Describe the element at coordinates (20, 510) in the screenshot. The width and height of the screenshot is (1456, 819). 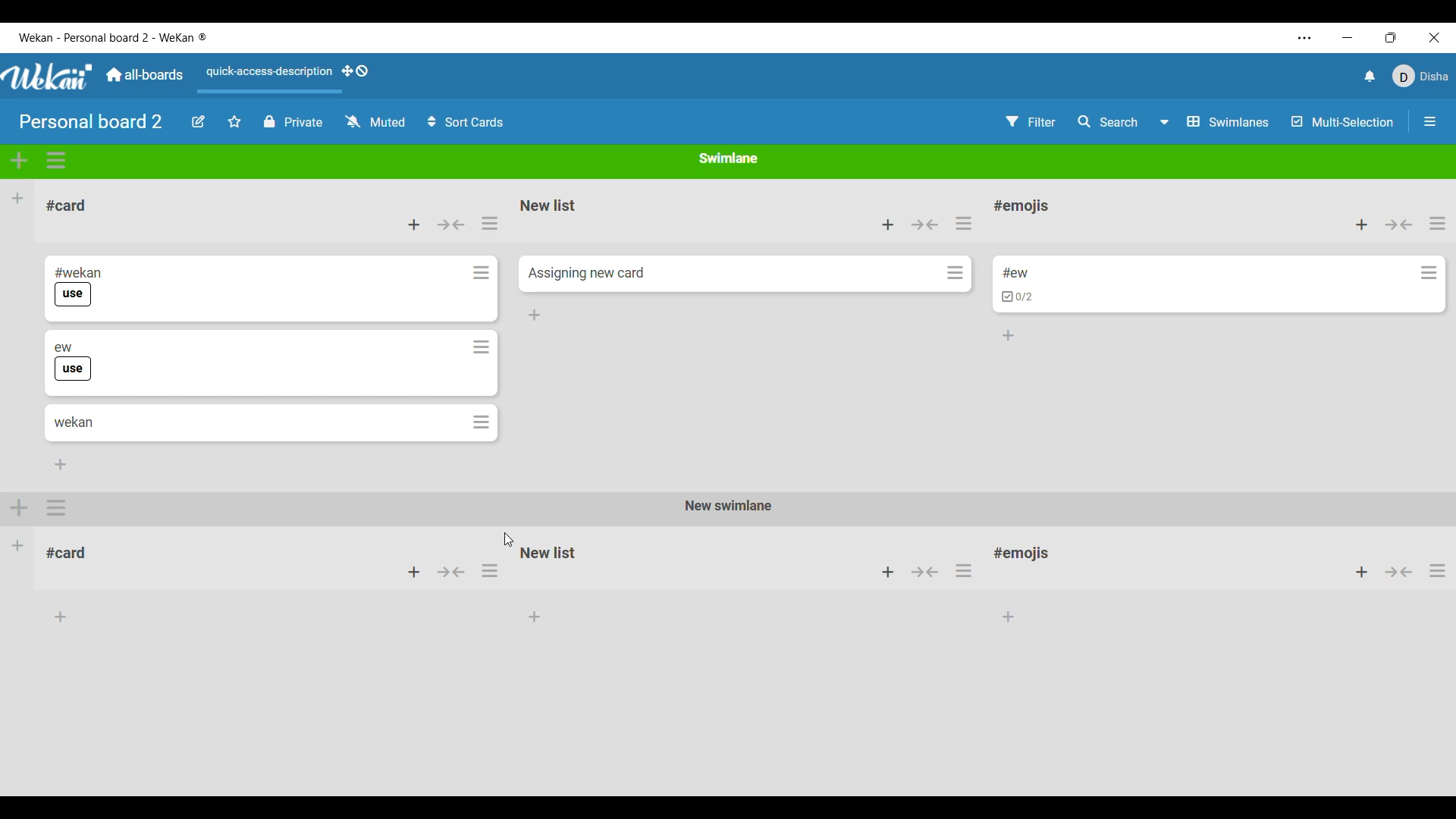
I see `add` at that location.